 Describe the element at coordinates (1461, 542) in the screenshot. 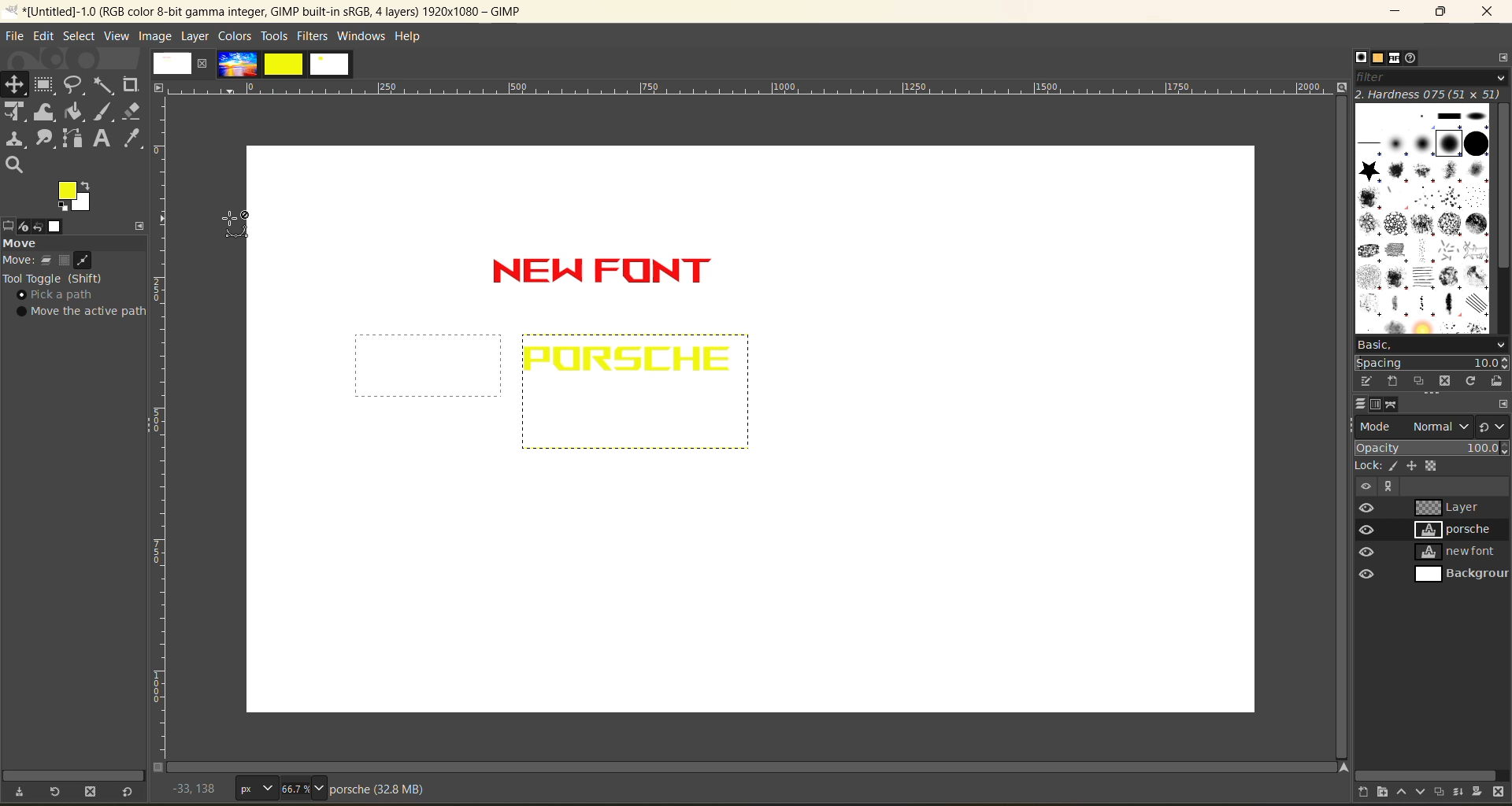

I see `layers` at that location.